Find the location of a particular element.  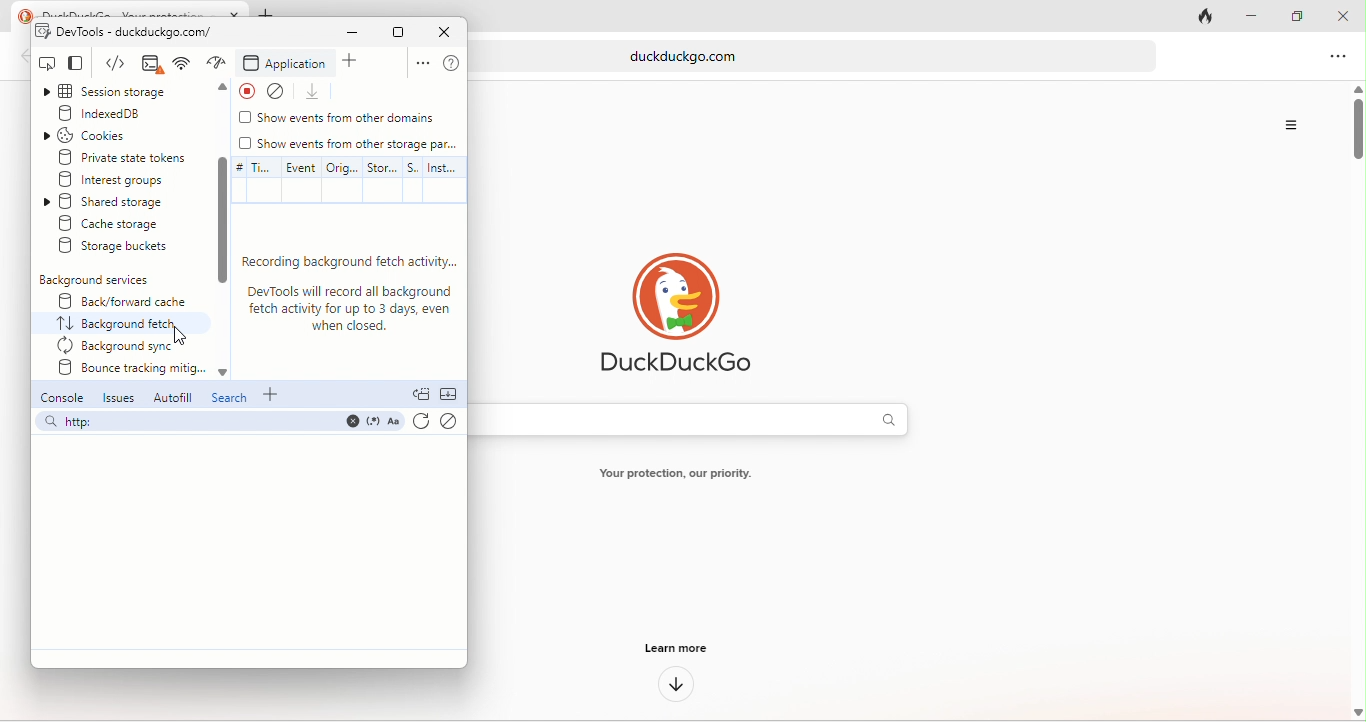

inspect is located at coordinates (47, 64).